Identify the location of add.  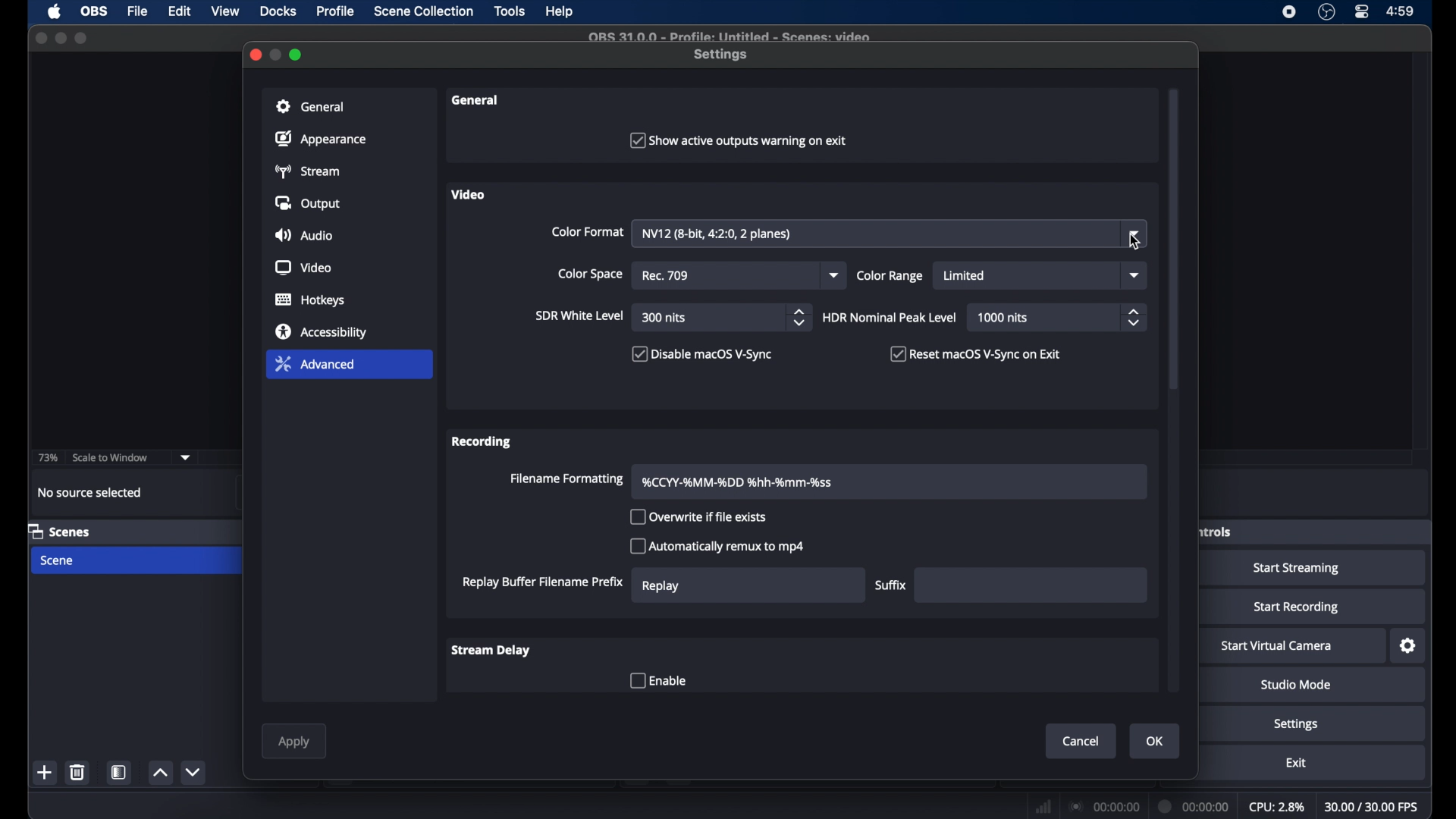
(45, 772).